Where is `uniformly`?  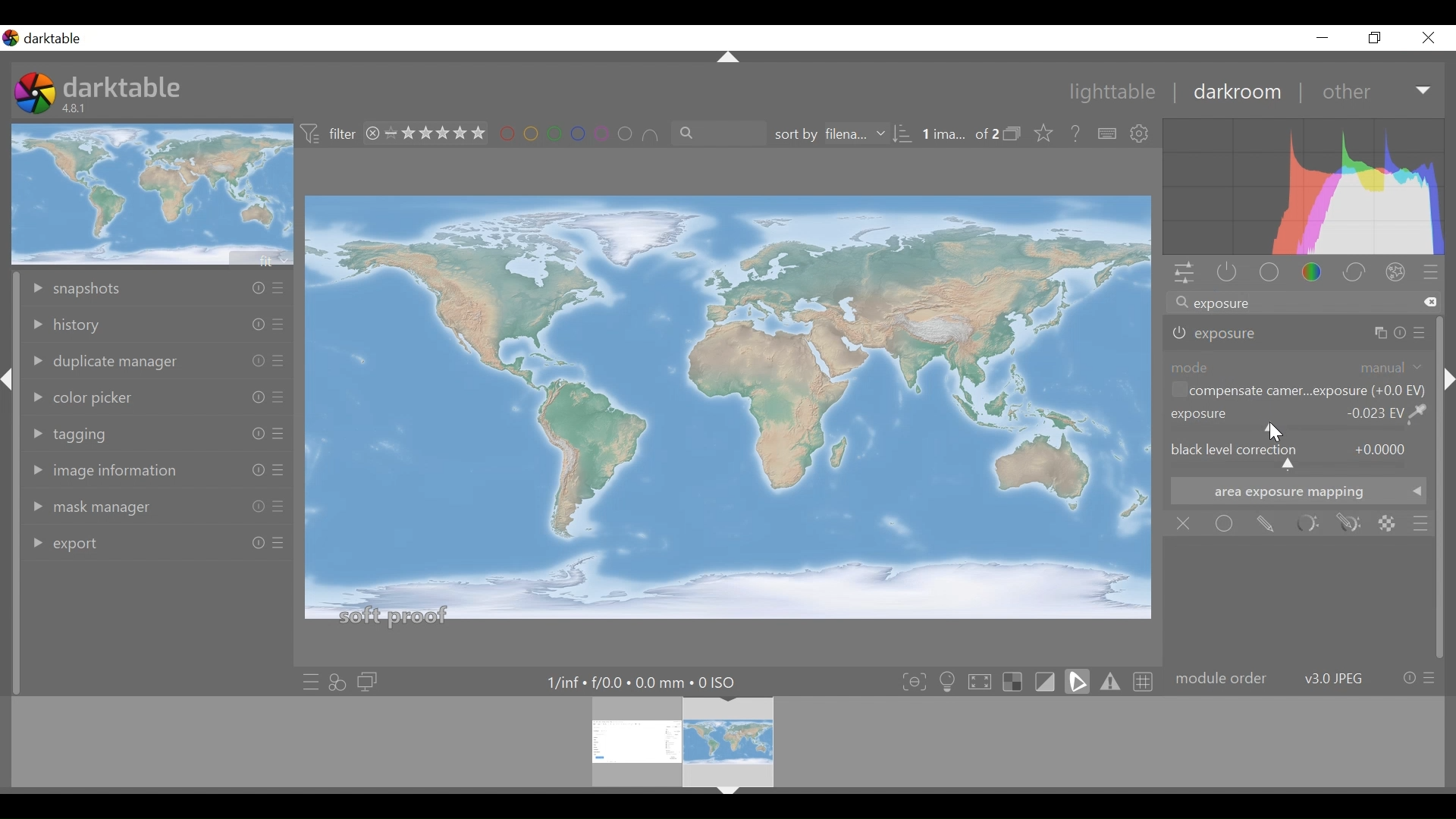
uniformly is located at coordinates (1225, 523).